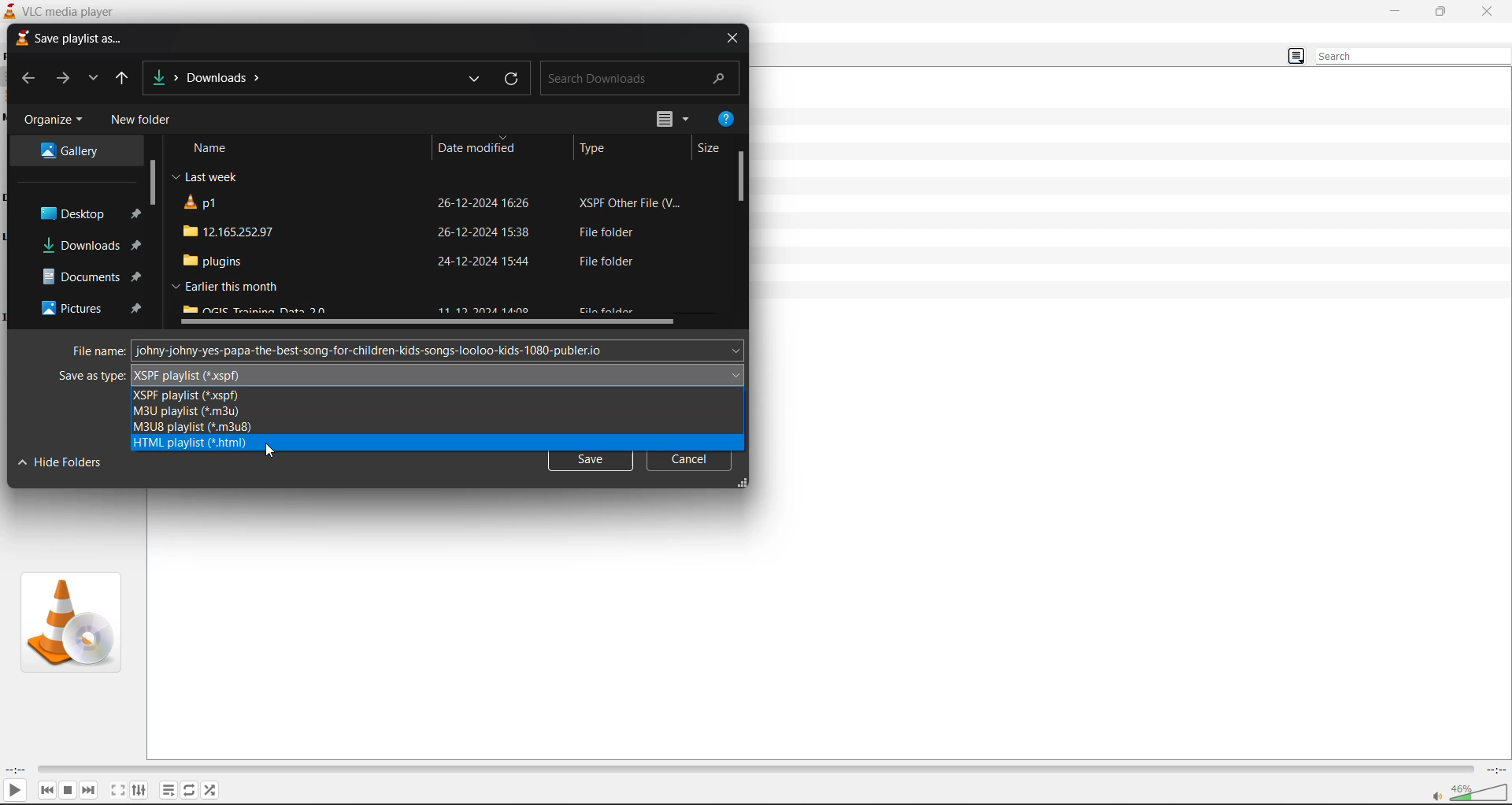  What do you see at coordinates (439, 351) in the screenshot?
I see `add file name` at bounding box center [439, 351].